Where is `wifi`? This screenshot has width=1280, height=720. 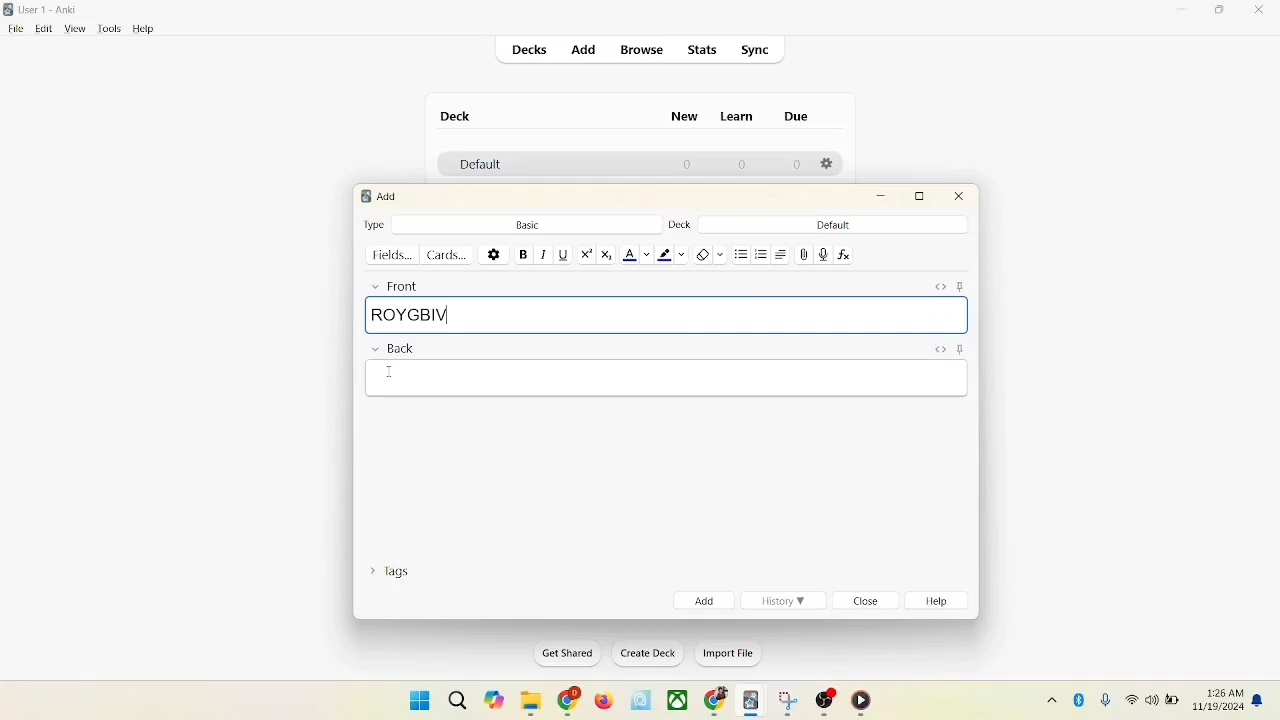 wifi is located at coordinates (1130, 699).